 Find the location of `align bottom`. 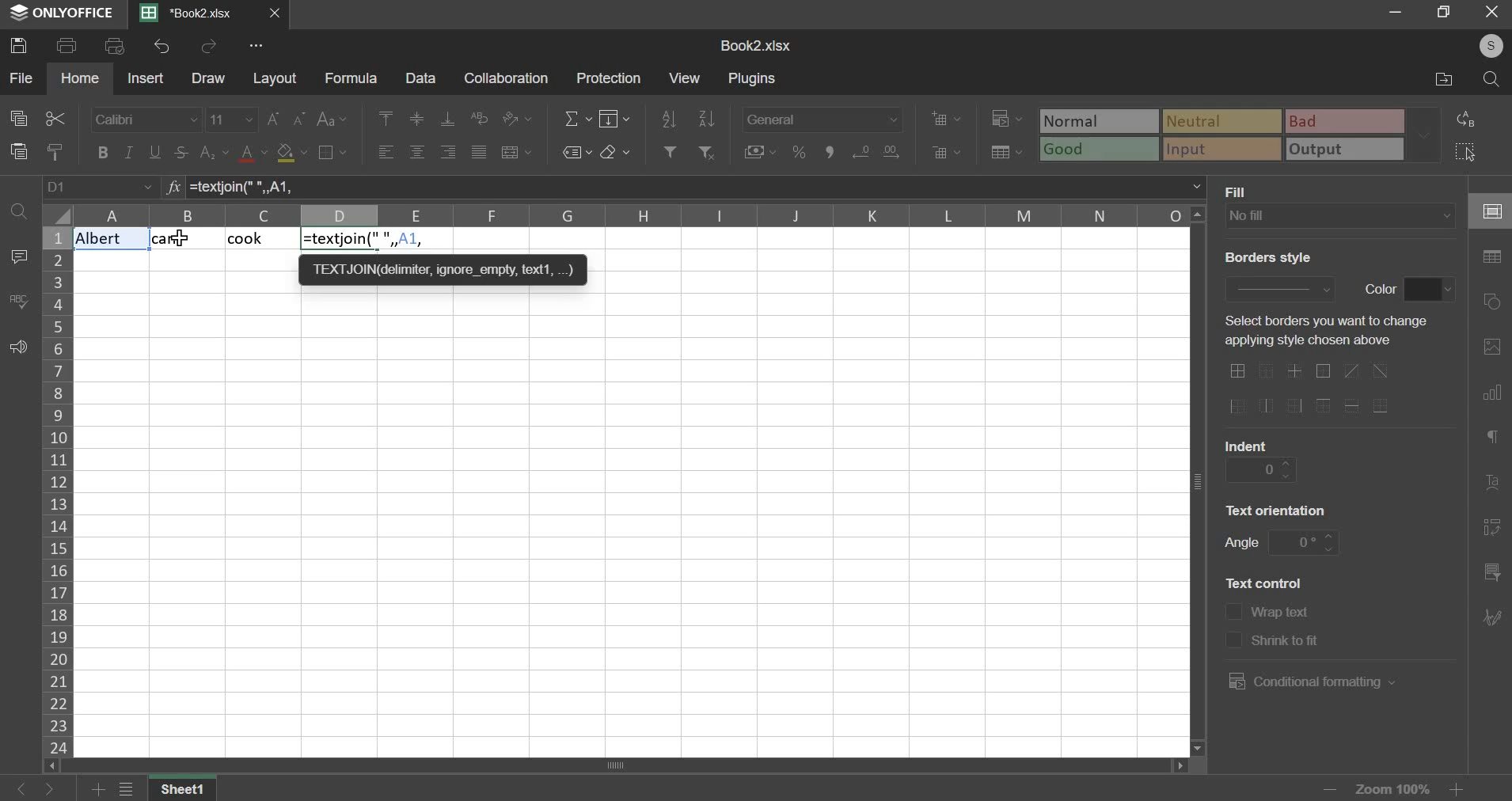

align bottom is located at coordinates (448, 119).